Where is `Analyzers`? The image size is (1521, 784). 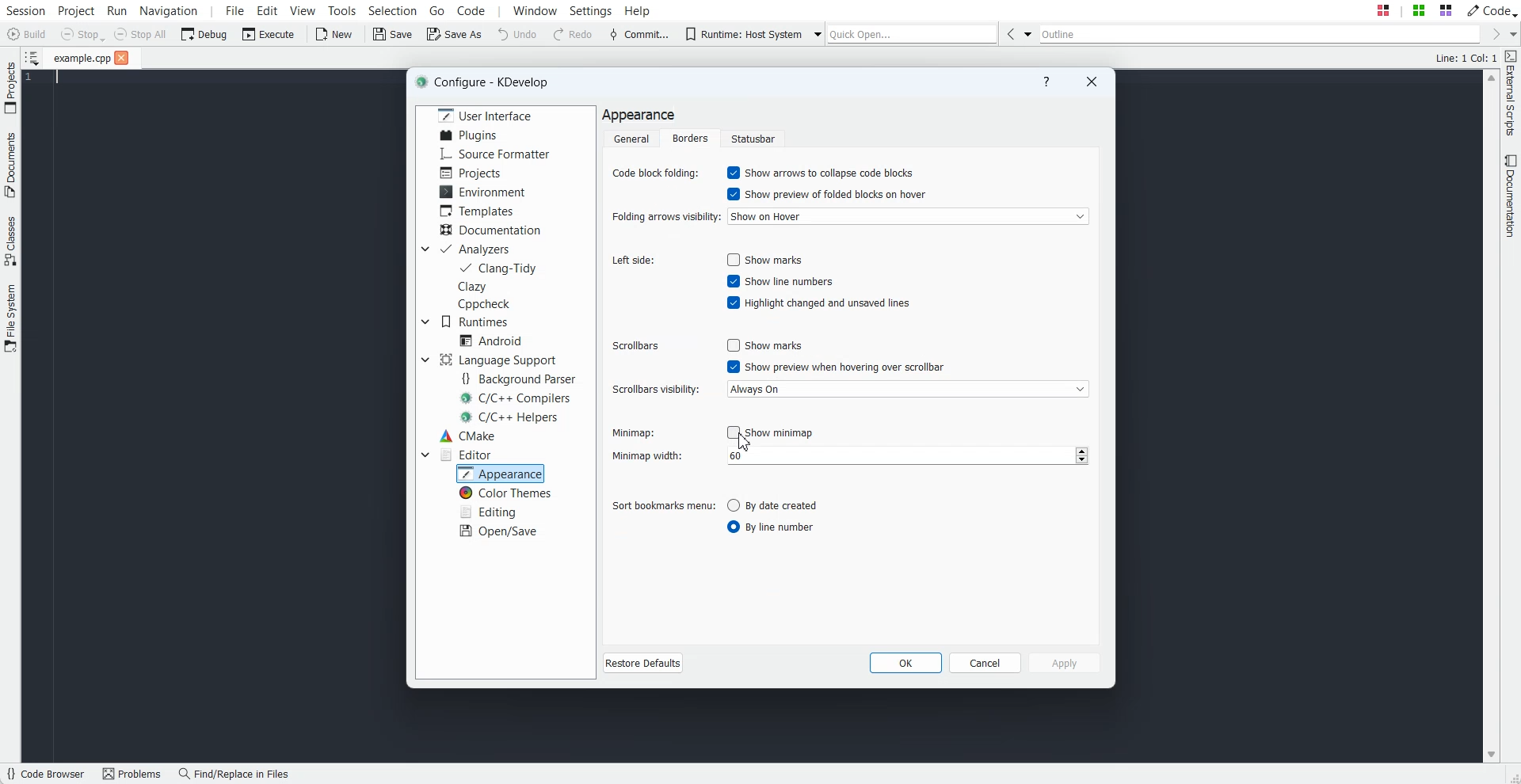
Analyzers is located at coordinates (475, 249).